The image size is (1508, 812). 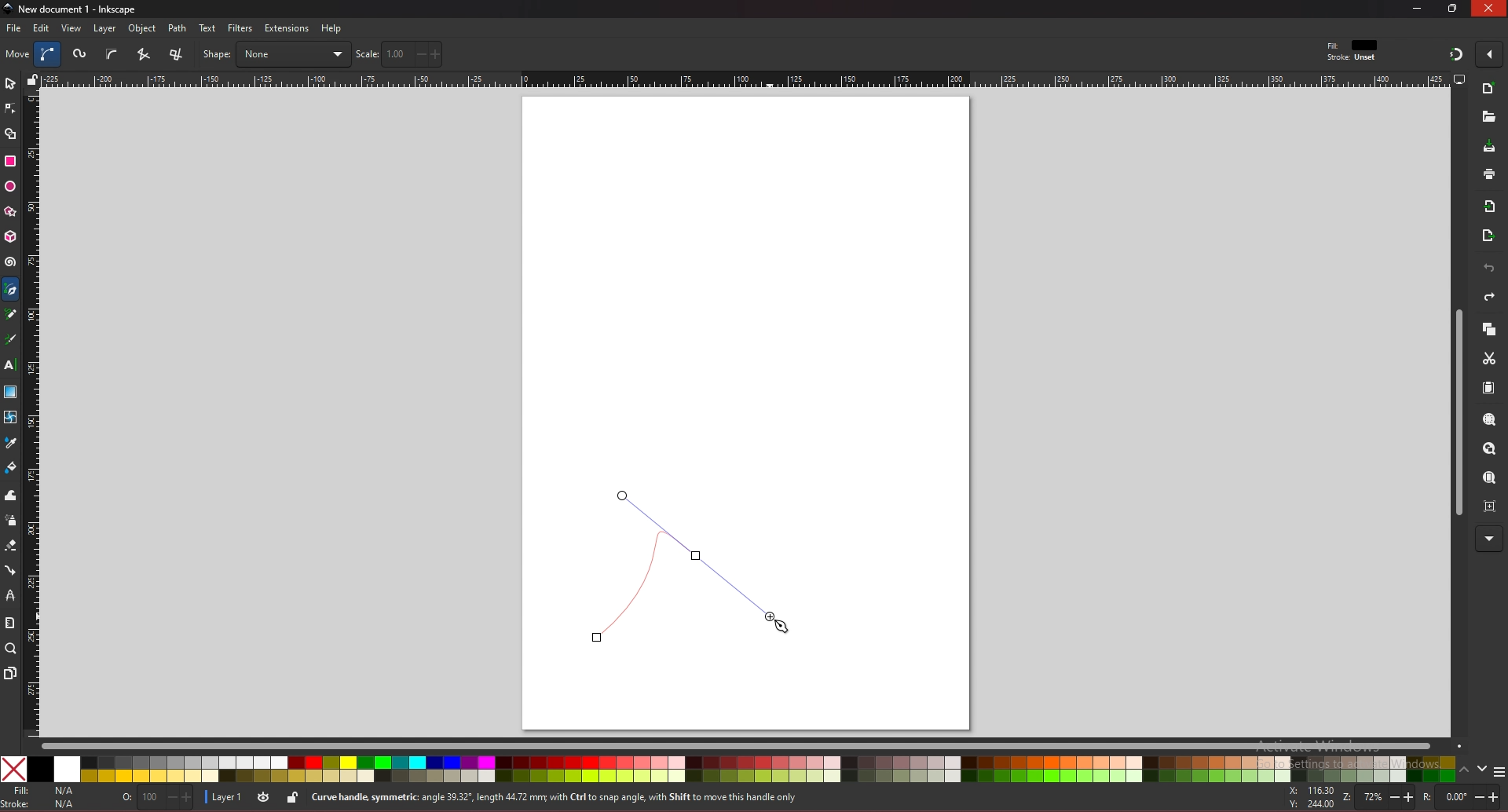 What do you see at coordinates (42, 804) in the screenshot?
I see `stroke` at bounding box center [42, 804].